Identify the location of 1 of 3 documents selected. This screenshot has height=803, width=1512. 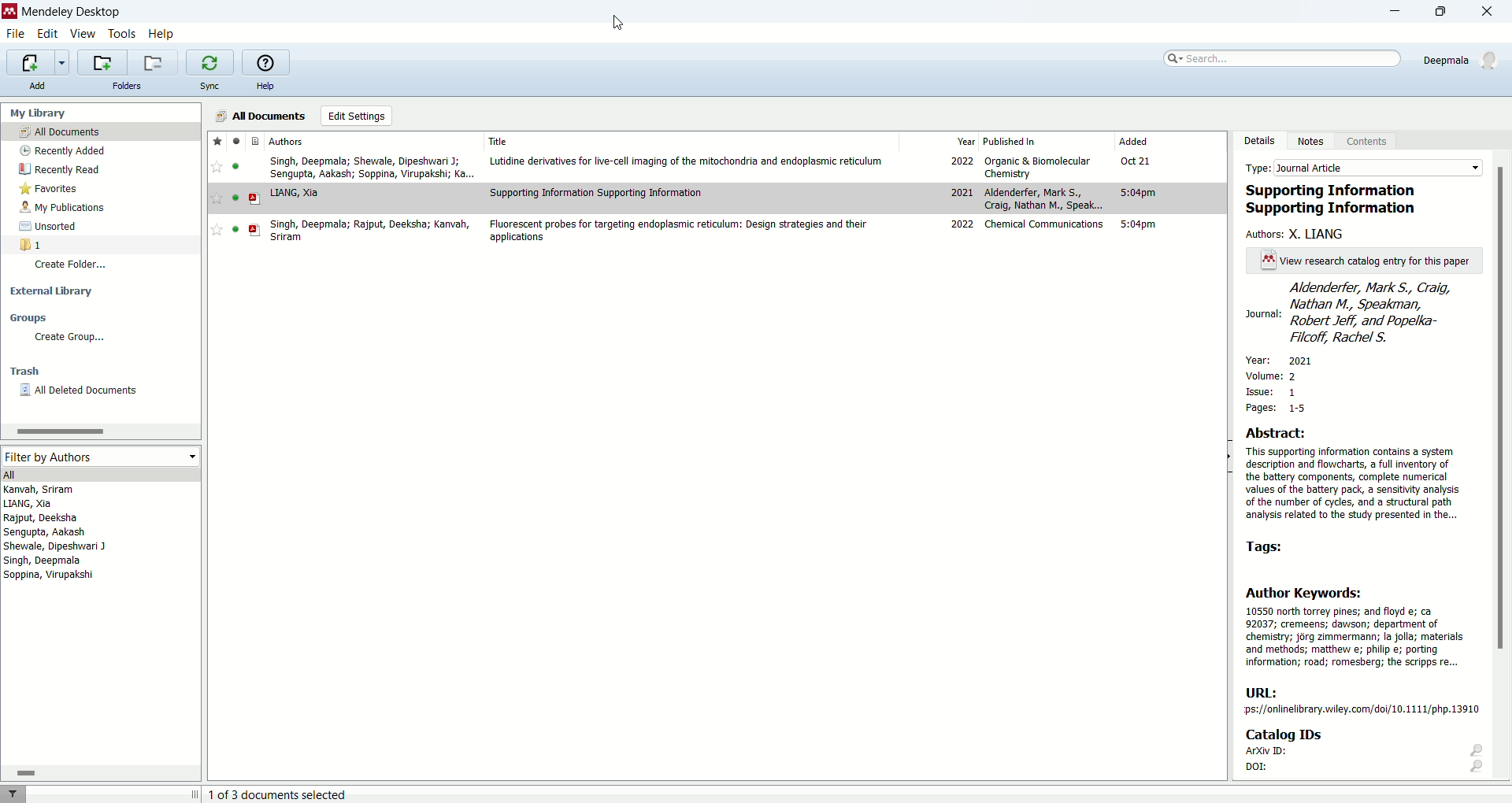
(278, 794).